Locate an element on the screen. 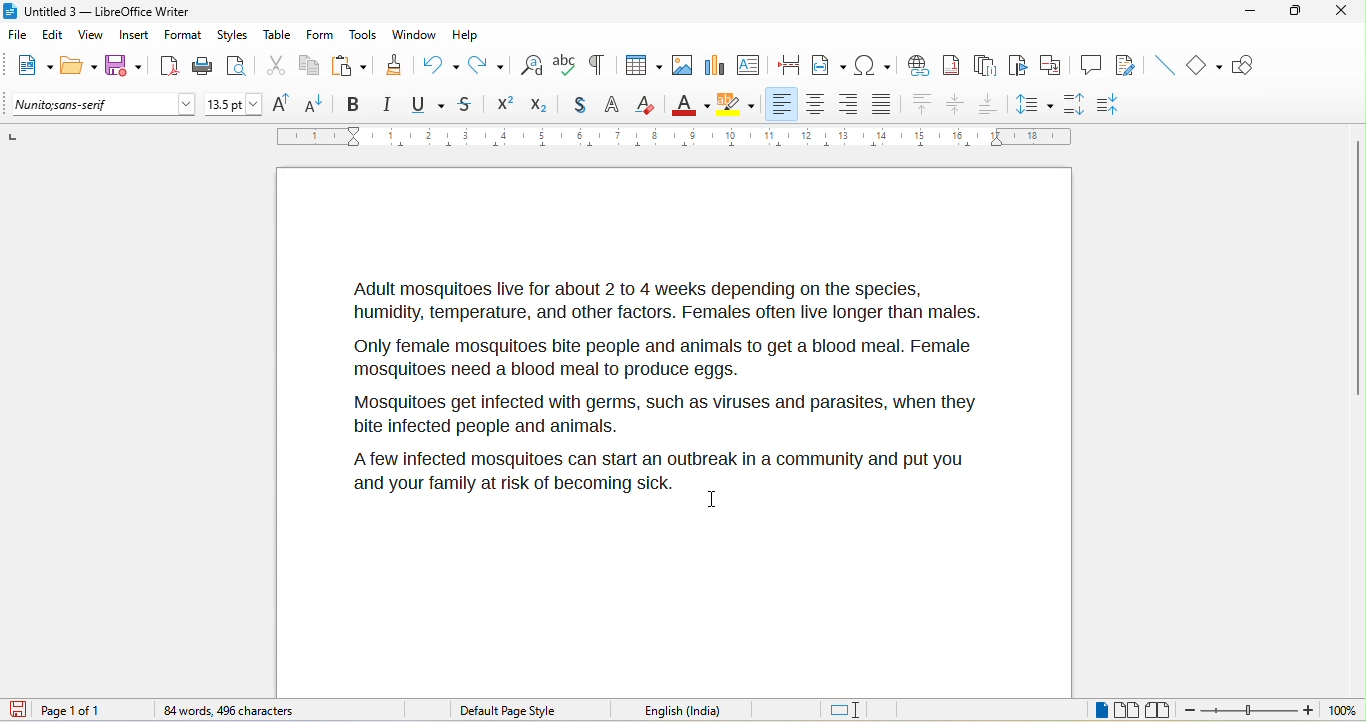  highlighting color is located at coordinates (736, 105).